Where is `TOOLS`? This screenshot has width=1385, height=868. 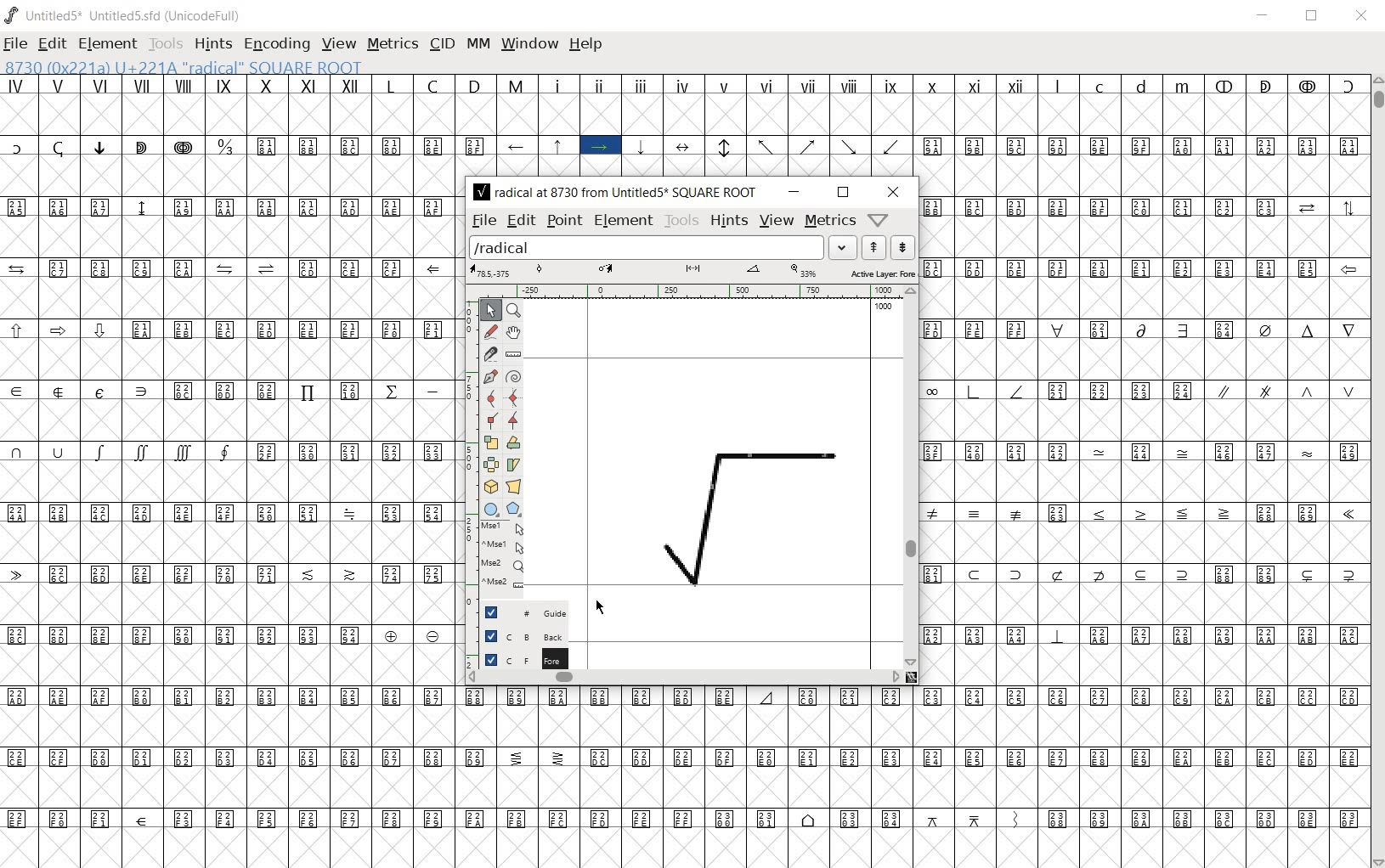
TOOLS is located at coordinates (166, 44).